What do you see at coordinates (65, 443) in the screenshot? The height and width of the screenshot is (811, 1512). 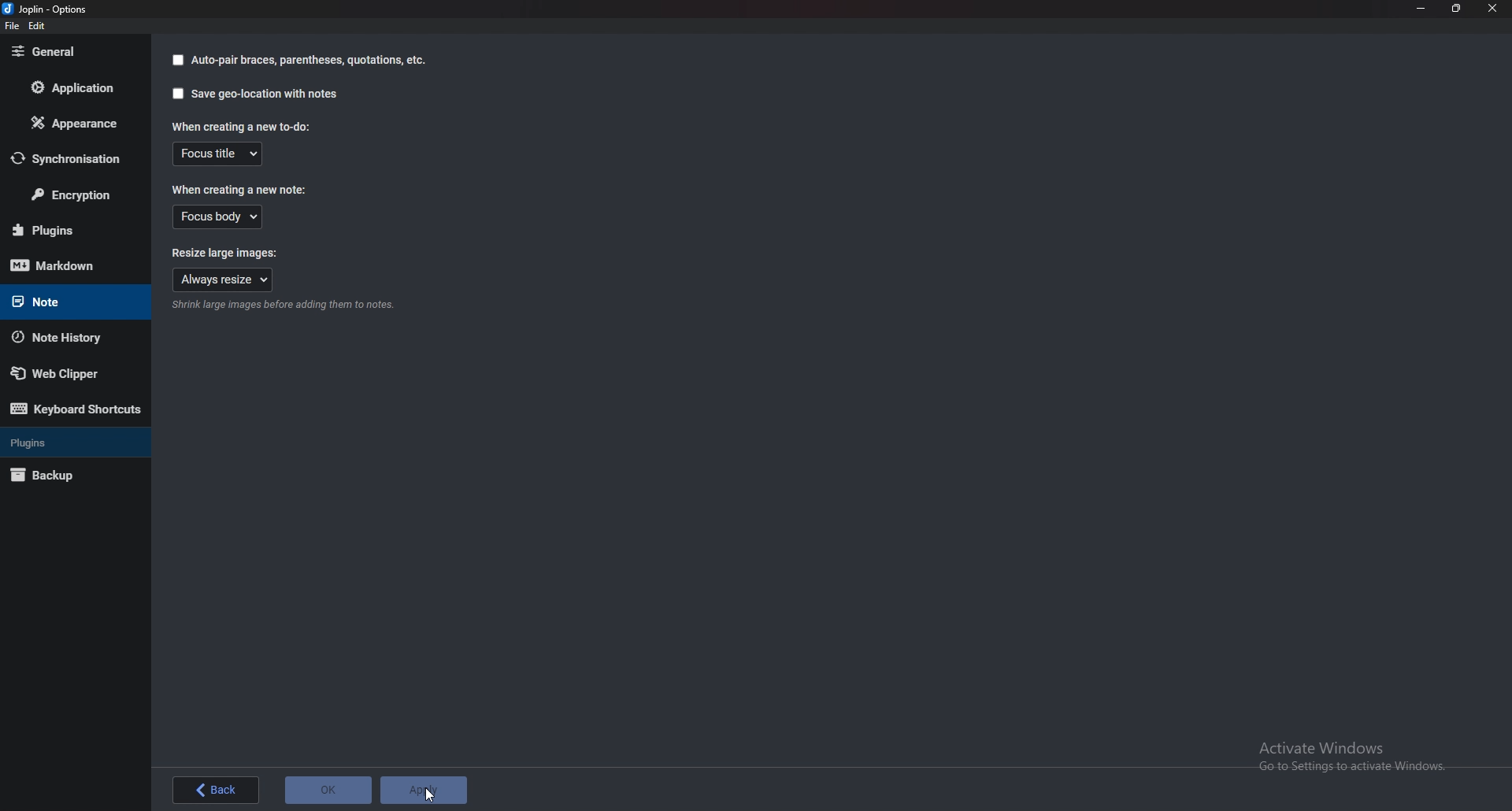 I see `plugins` at bounding box center [65, 443].